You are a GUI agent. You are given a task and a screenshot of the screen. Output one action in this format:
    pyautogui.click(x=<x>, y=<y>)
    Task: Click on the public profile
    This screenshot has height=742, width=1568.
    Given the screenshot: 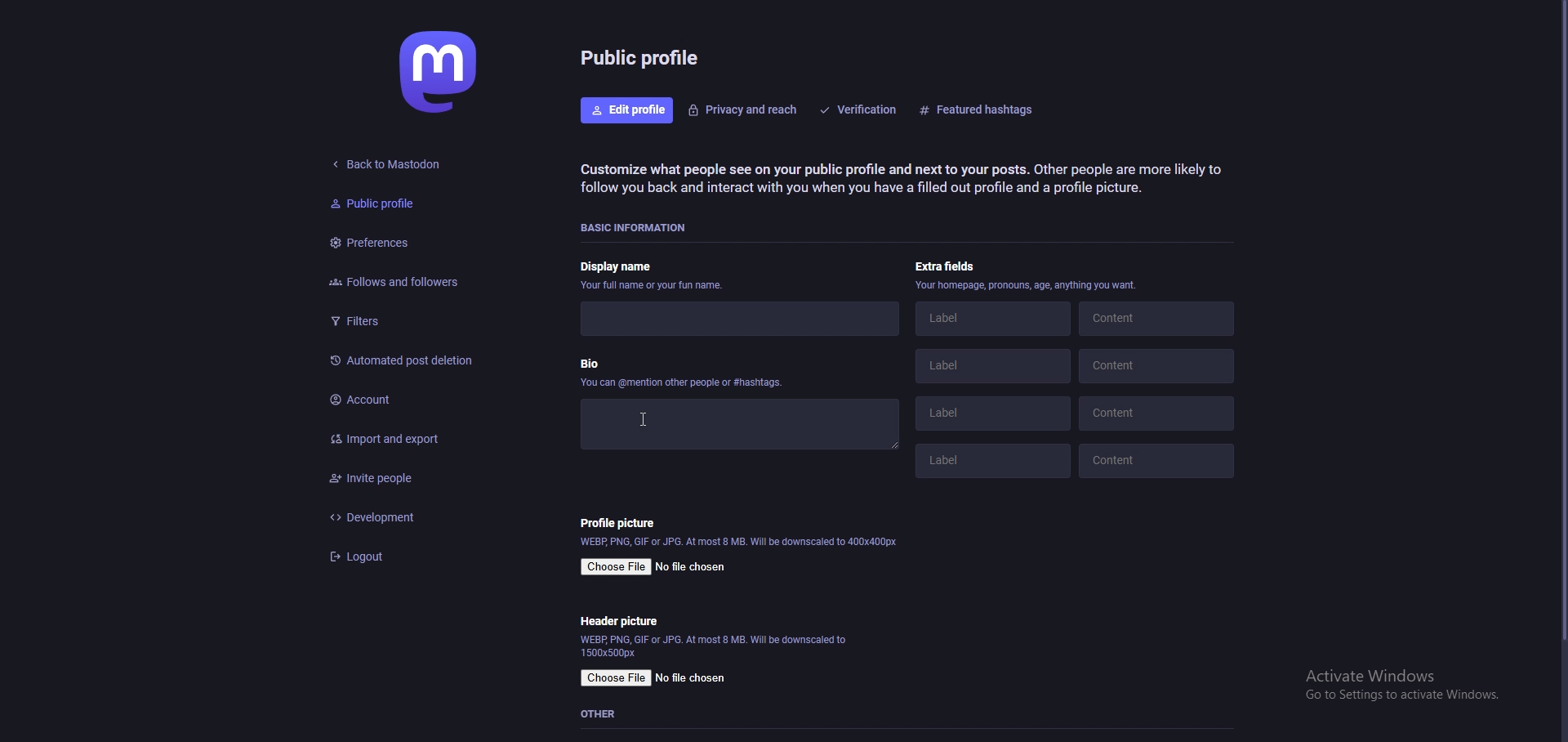 What is the action you would take?
    pyautogui.click(x=394, y=204)
    